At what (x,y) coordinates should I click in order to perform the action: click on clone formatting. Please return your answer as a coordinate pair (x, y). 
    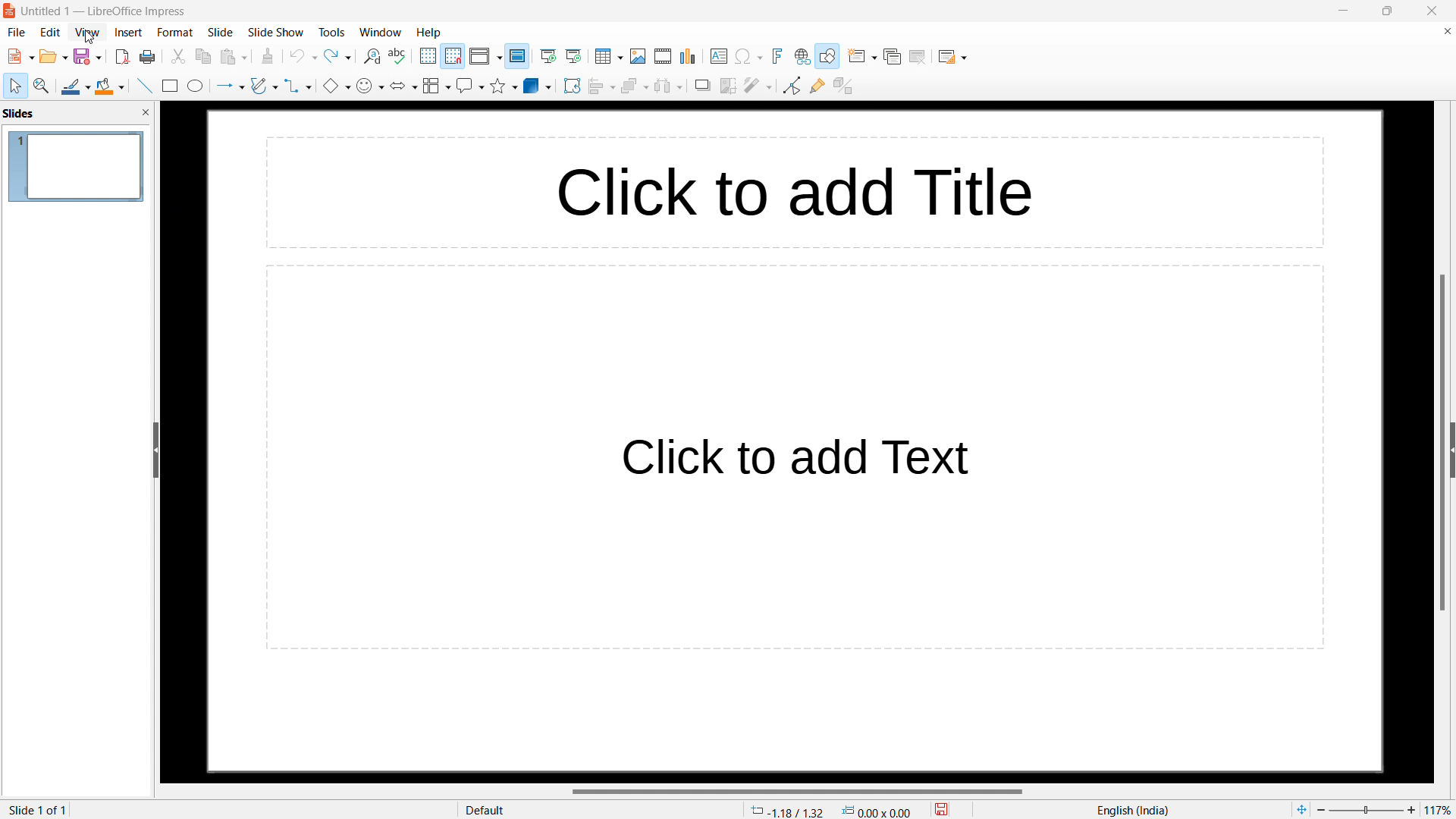
    Looking at the image, I should click on (268, 57).